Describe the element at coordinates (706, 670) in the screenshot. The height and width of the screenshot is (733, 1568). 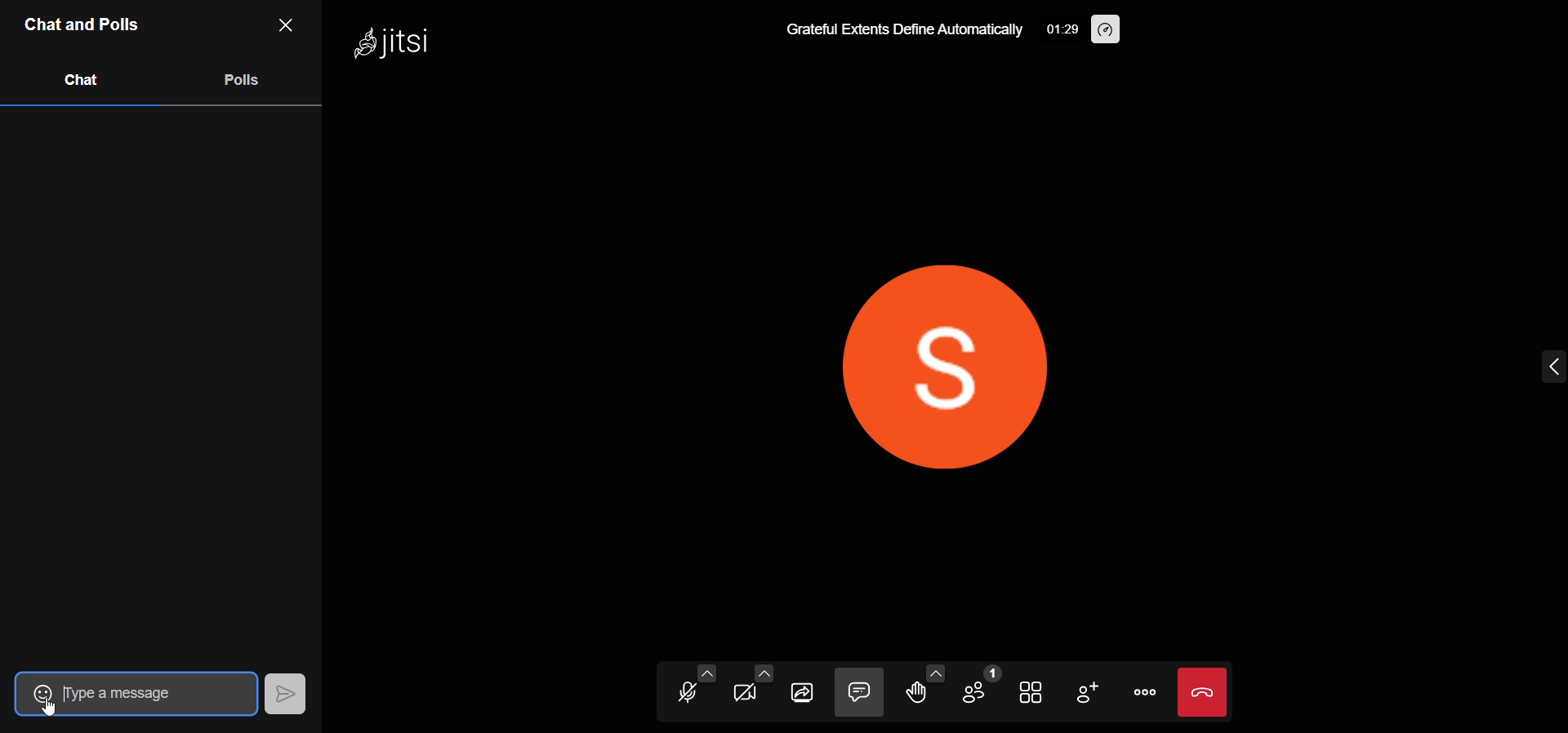
I see `audio setting` at that location.